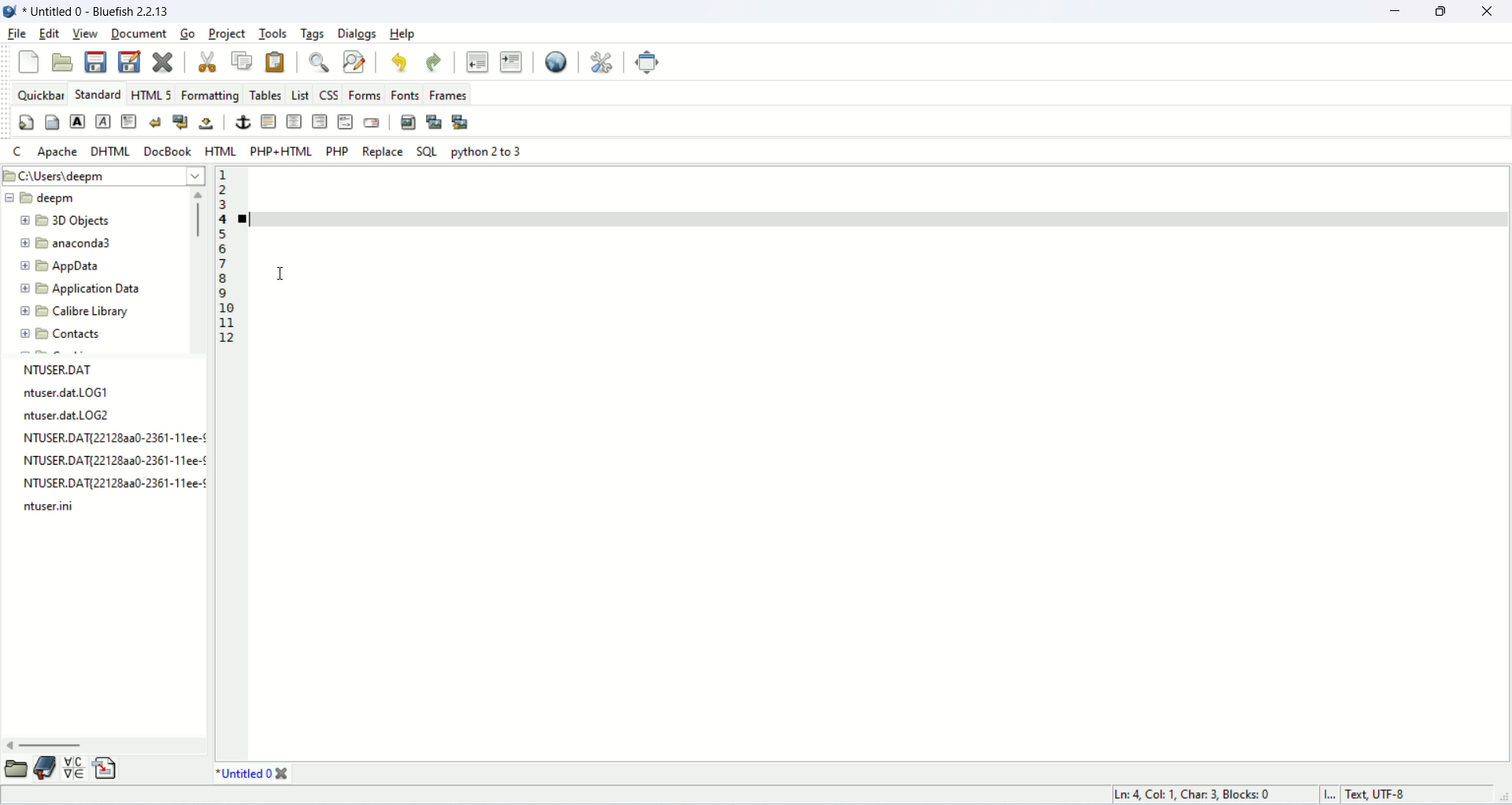  What do you see at coordinates (328, 95) in the screenshot?
I see `css` at bounding box center [328, 95].